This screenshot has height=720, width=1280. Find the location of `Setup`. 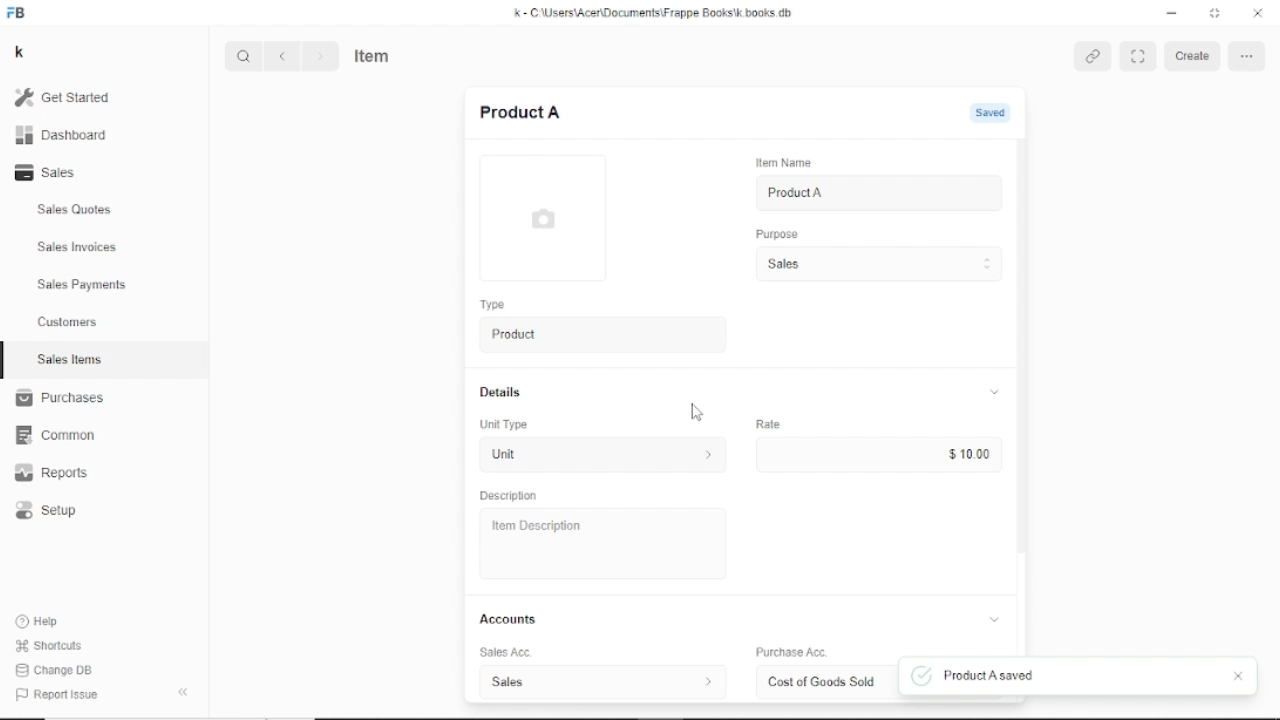

Setup is located at coordinates (47, 511).